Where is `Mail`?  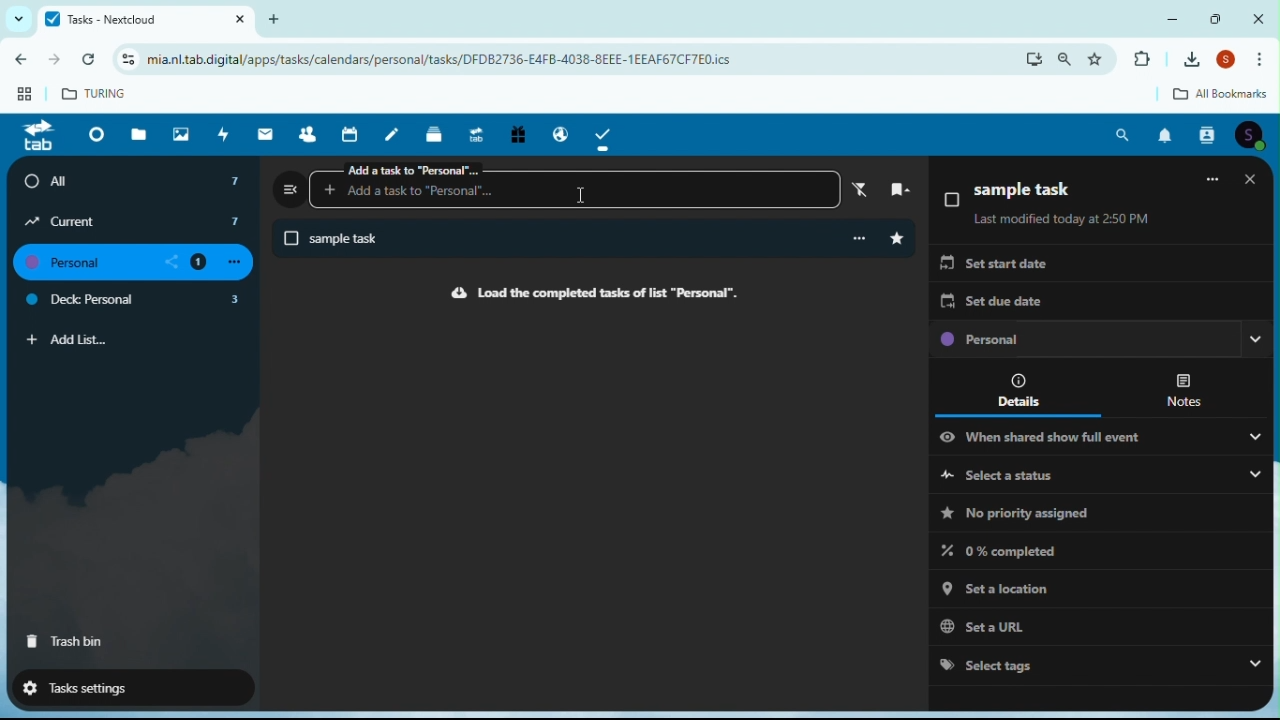 Mail is located at coordinates (268, 134).